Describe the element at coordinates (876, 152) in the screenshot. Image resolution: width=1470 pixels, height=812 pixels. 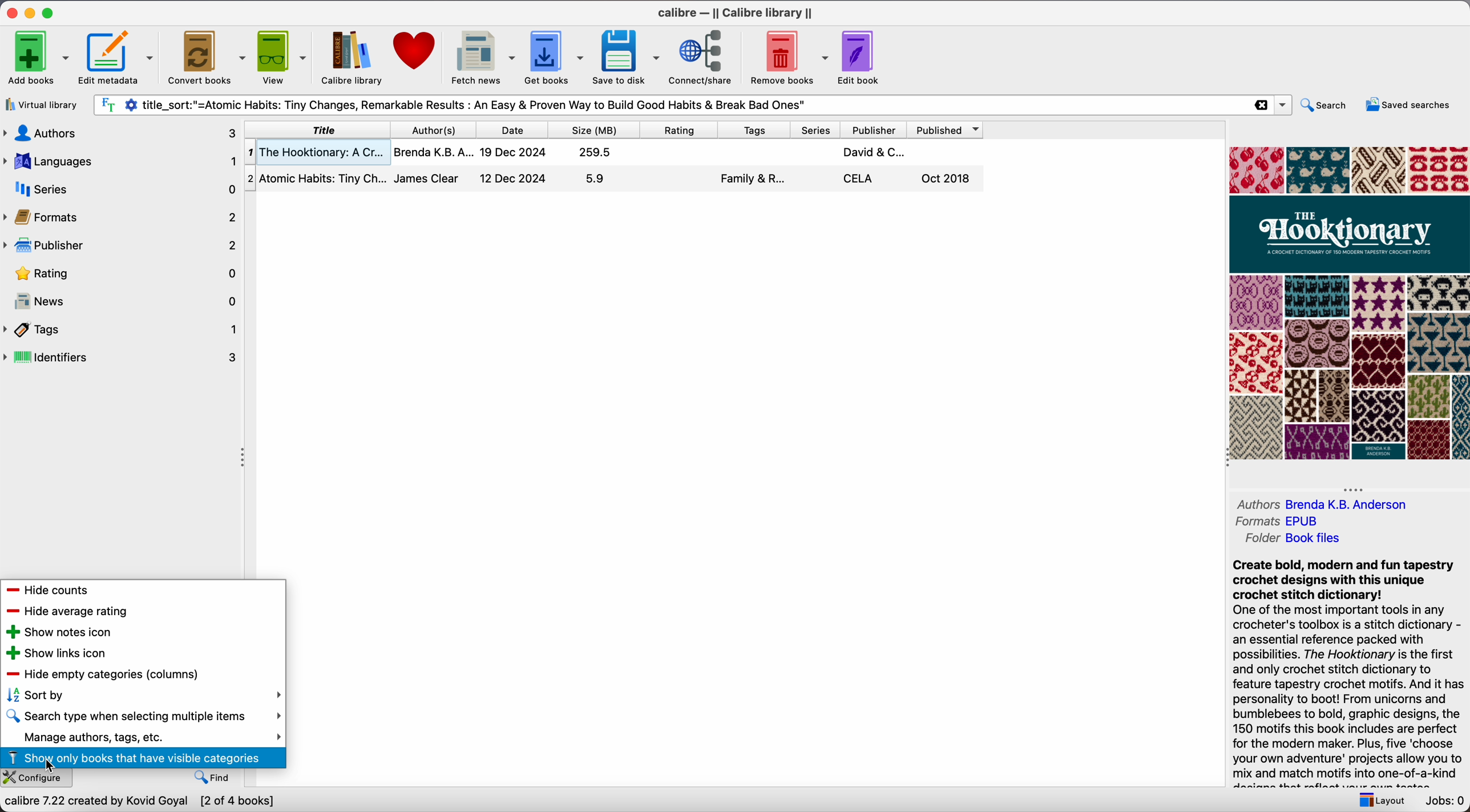
I see `David & C...` at that location.